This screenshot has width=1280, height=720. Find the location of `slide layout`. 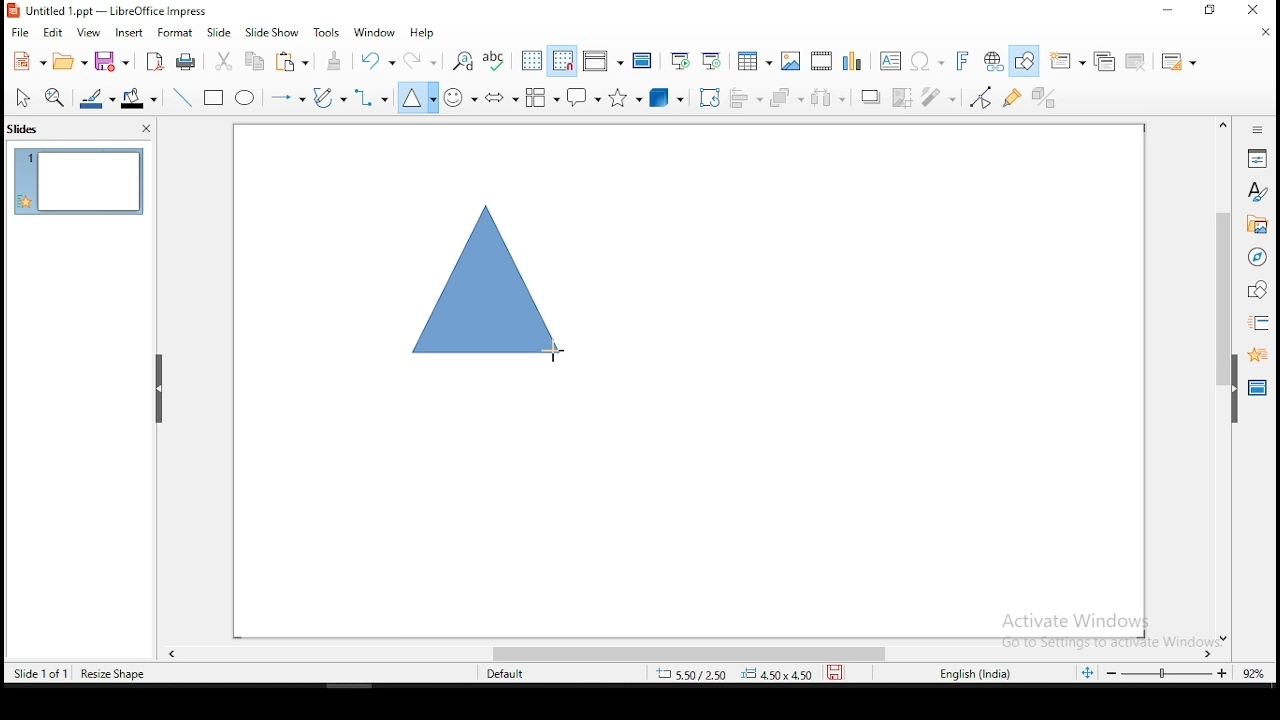

slide layout is located at coordinates (1179, 59).